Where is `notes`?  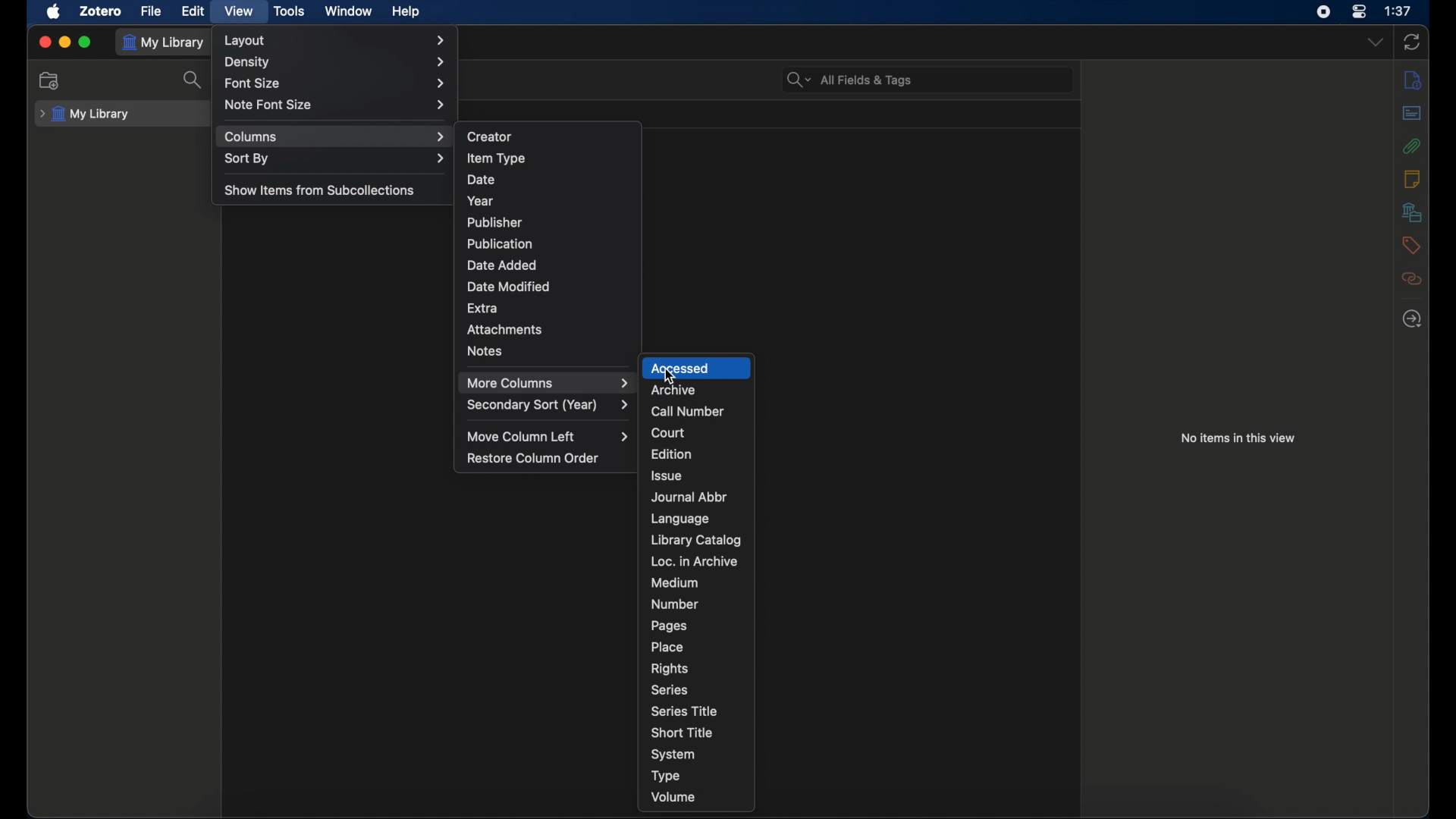
notes is located at coordinates (485, 351).